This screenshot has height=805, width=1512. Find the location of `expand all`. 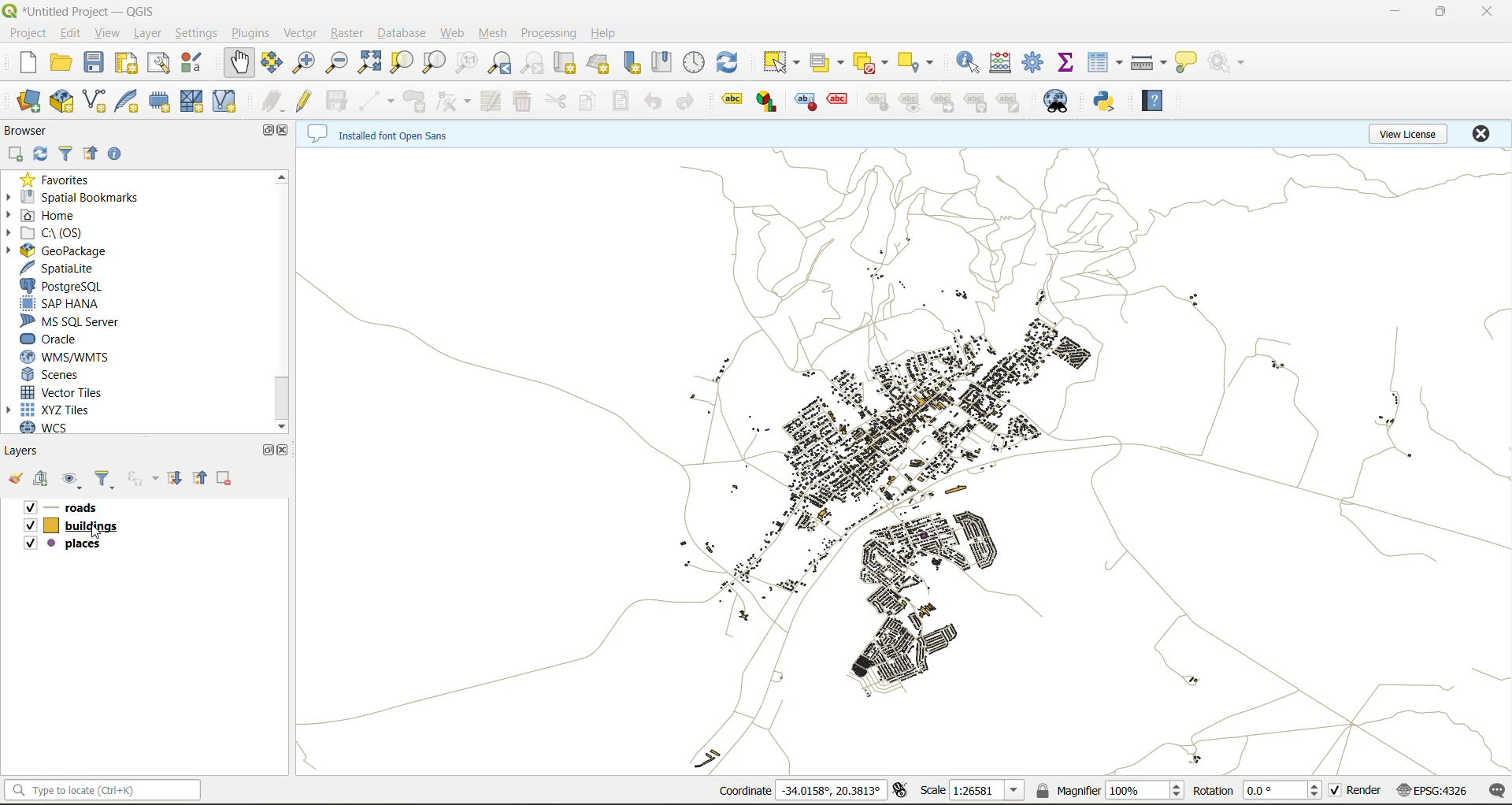

expand all is located at coordinates (179, 479).